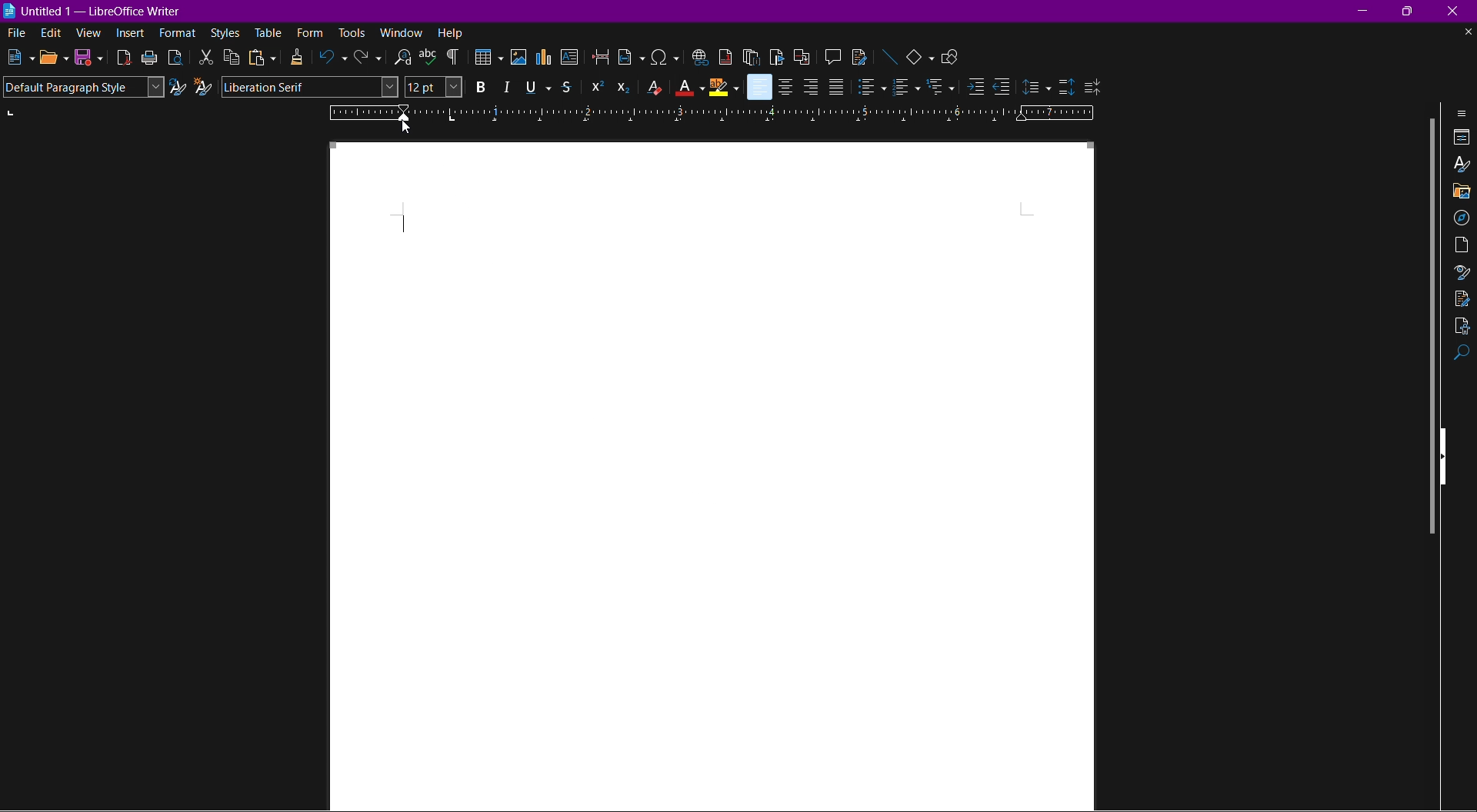  Describe the element at coordinates (13, 32) in the screenshot. I see `file` at that location.